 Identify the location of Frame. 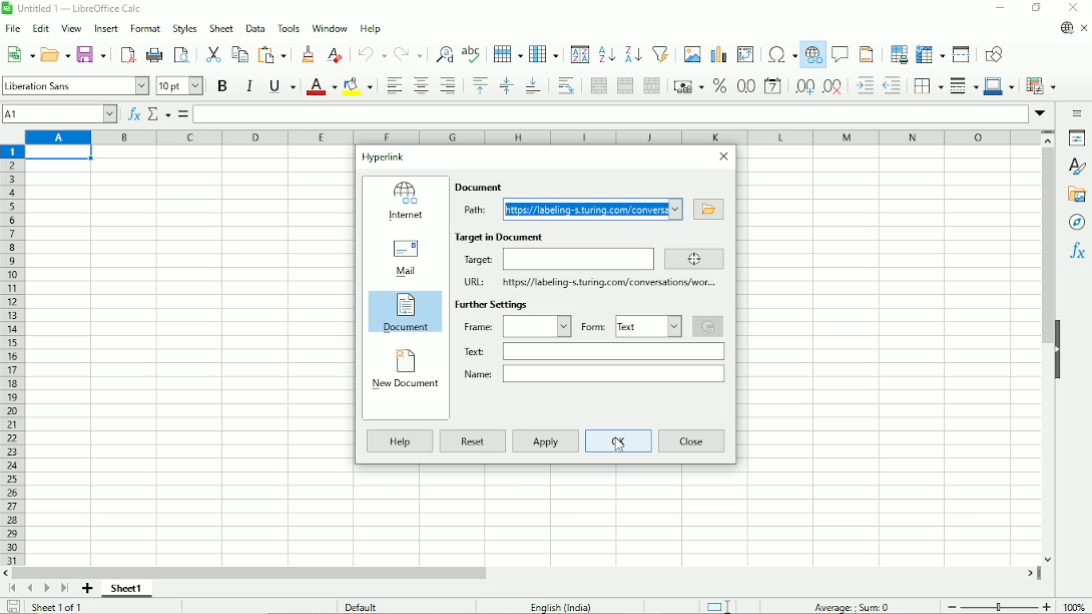
(477, 325).